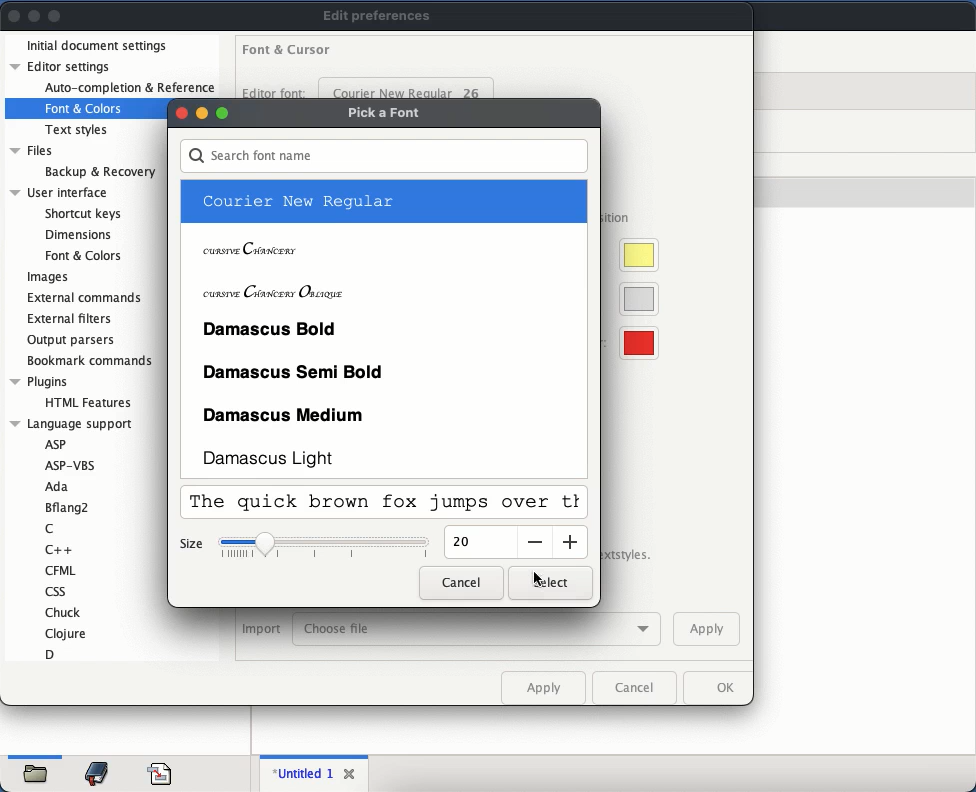  What do you see at coordinates (92, 362) in the screenshot?
I see `bookmark commands` at bounding box center [92, 362].